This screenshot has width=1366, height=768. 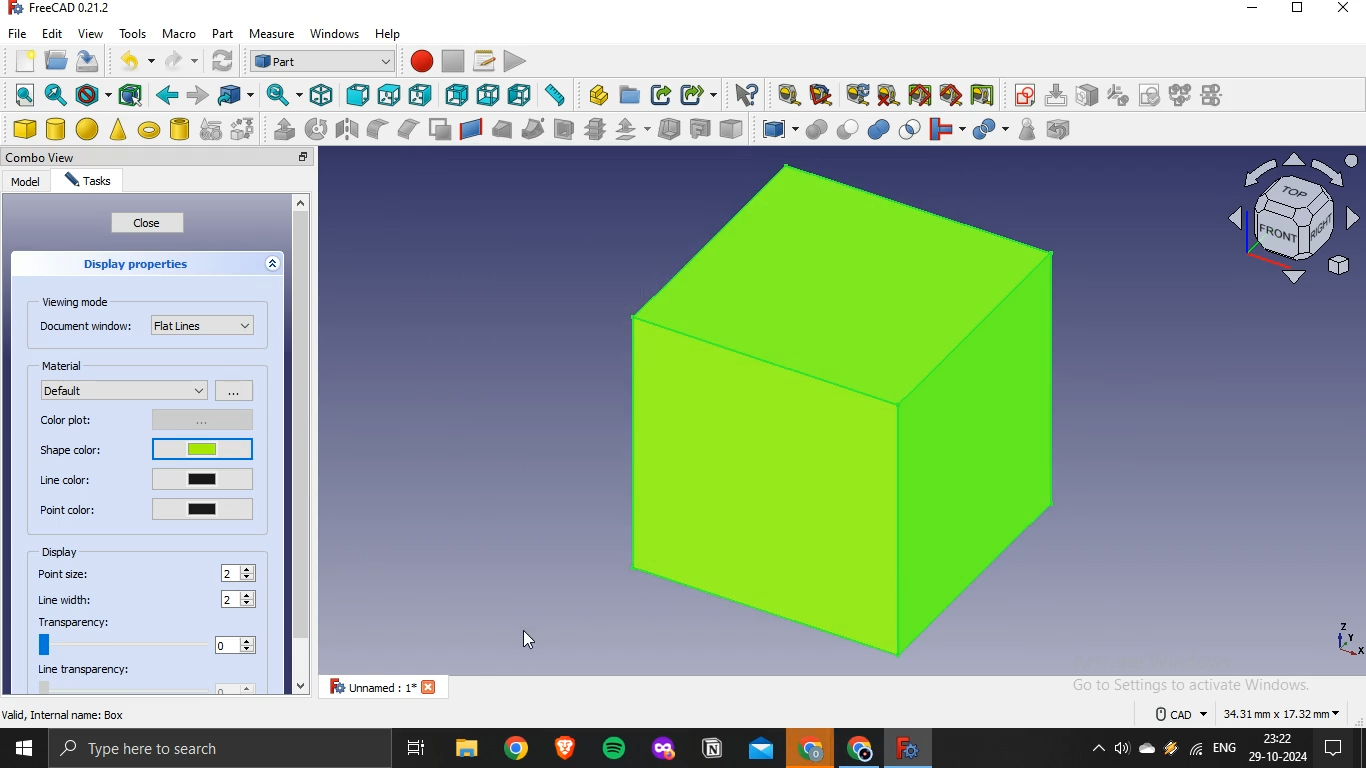 I want to click on left, so click(x=520, y=94).